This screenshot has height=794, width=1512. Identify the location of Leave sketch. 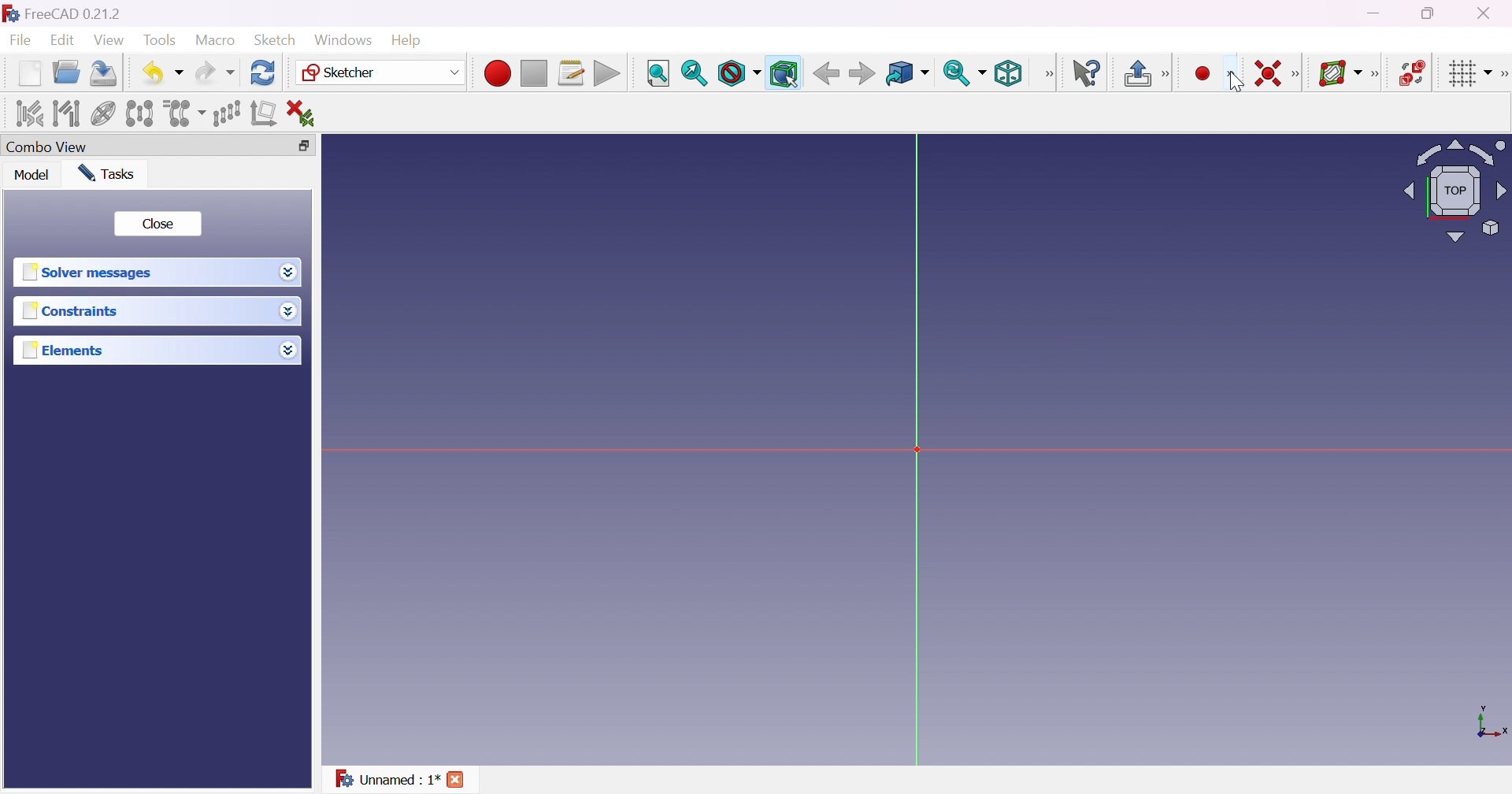
(1136, 72).